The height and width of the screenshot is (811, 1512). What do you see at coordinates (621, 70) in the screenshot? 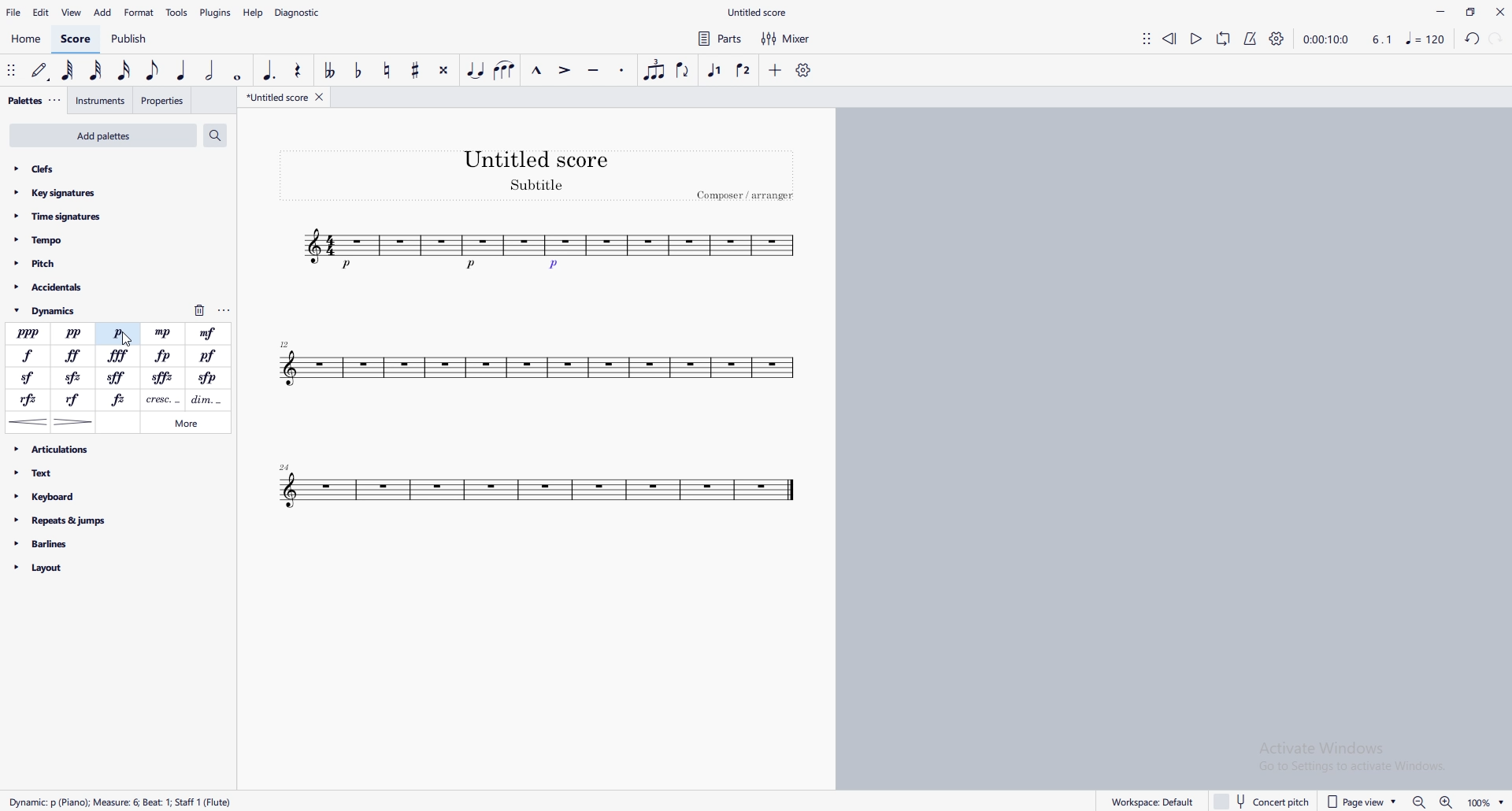
I see `staccato` at bounding box center [621, 70].